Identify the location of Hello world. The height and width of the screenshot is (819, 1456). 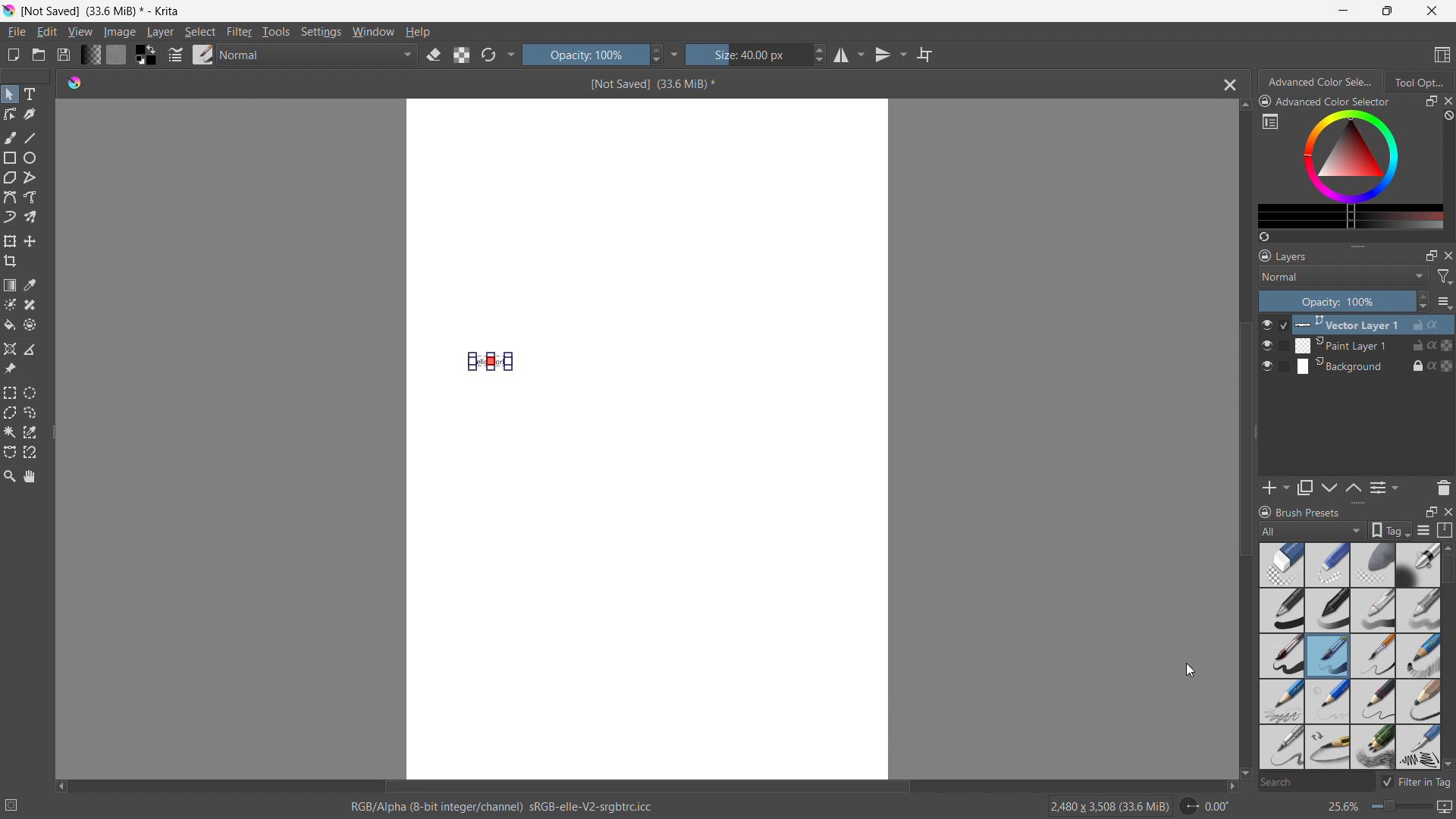
(494, 362).